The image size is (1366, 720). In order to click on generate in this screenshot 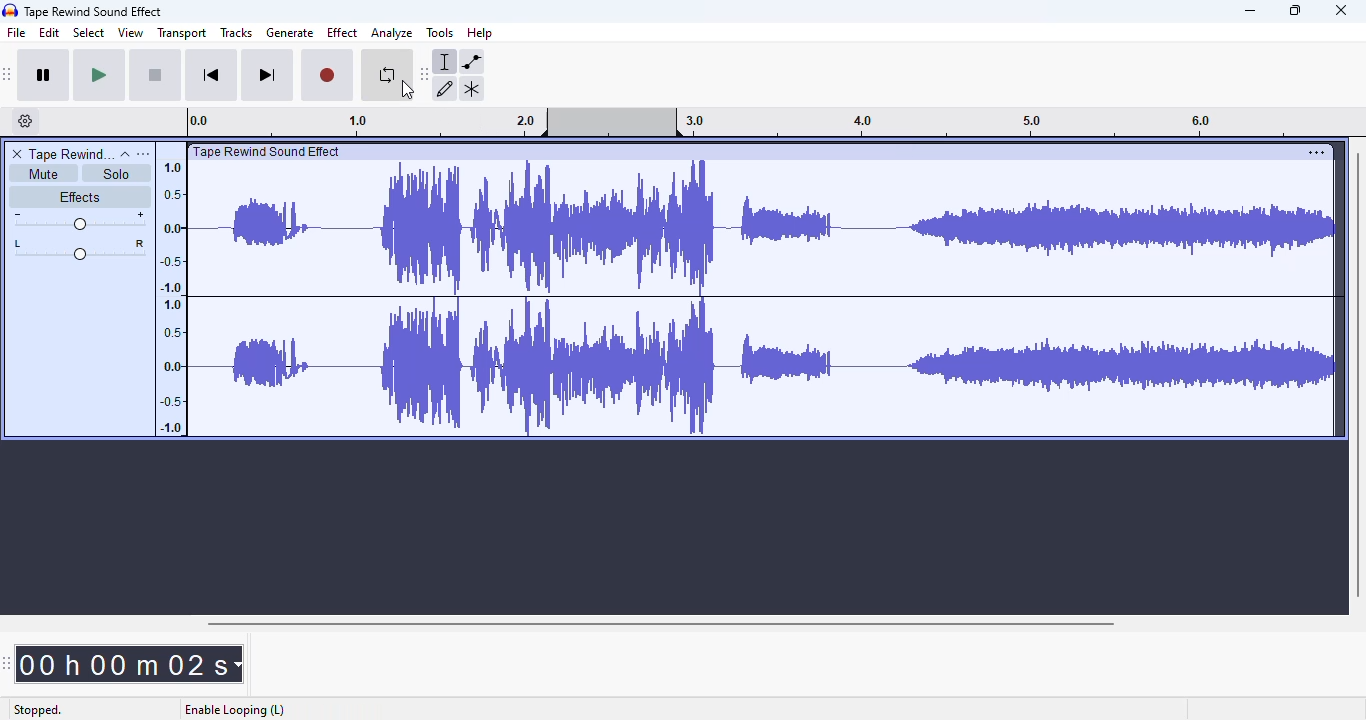, I will do `click(290, 33)`.